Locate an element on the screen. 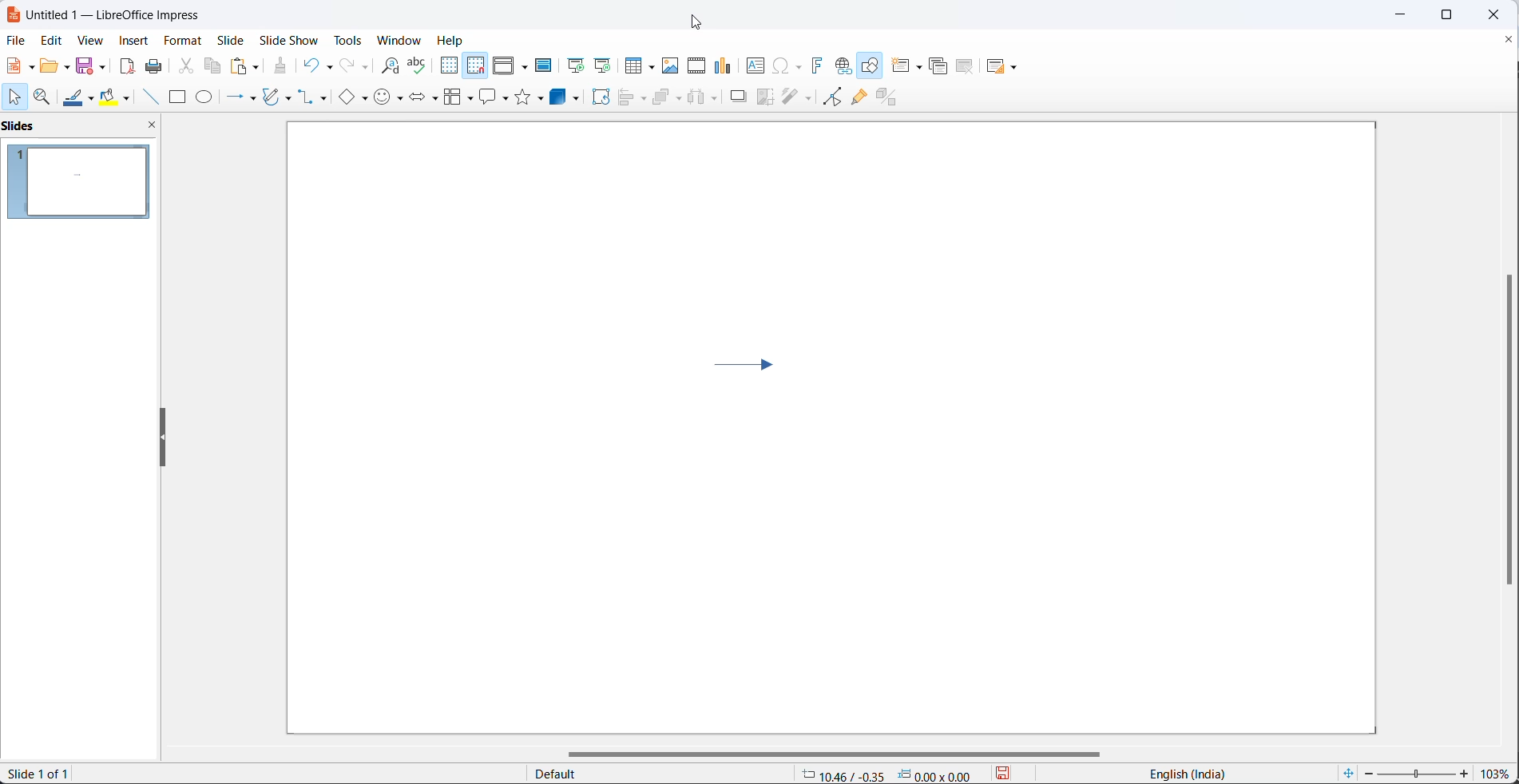 This screenshot has height=784, width=1519. star shapes is located at coordinates (531, 97).